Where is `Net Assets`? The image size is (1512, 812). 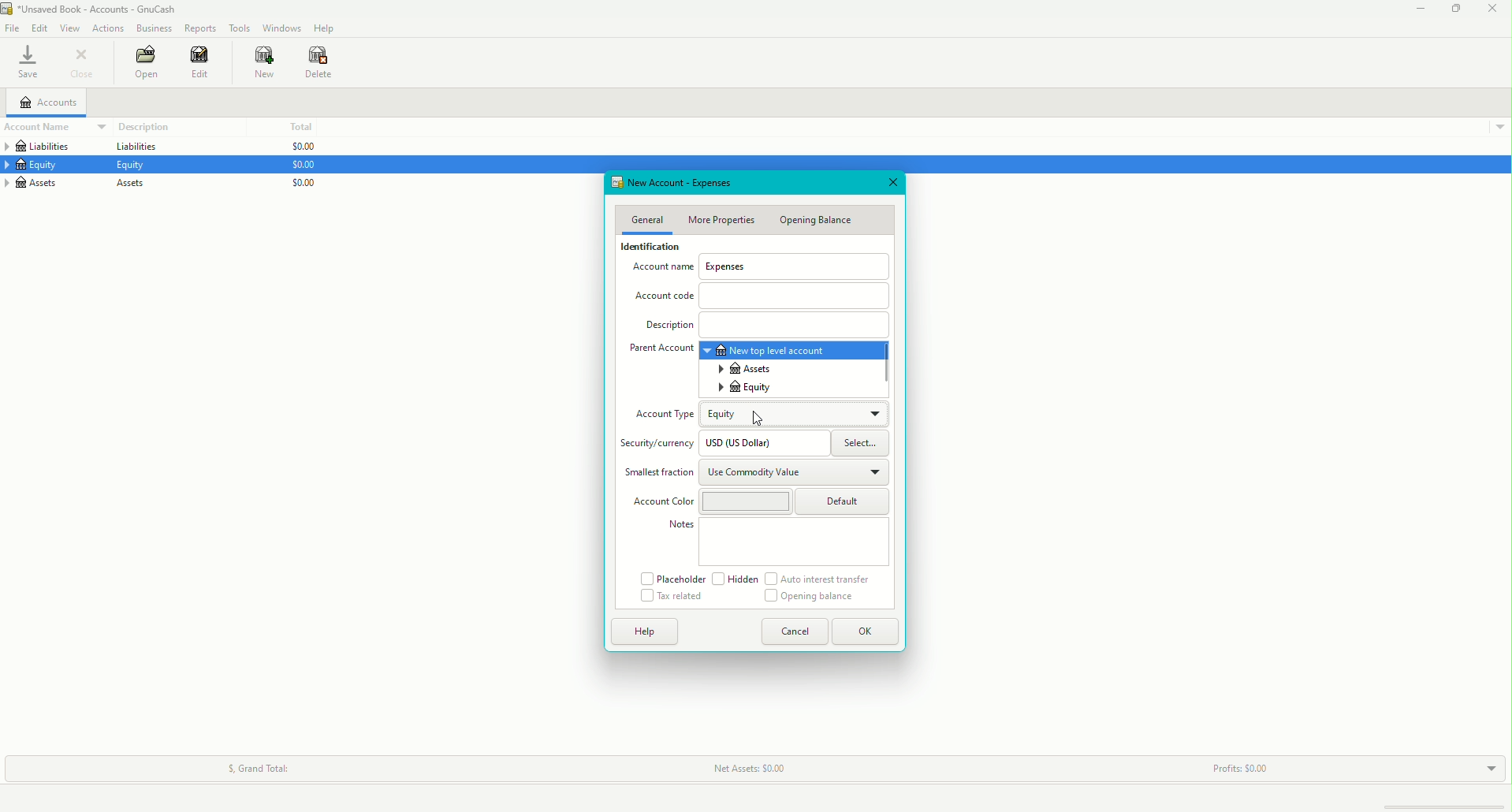
Net Assets is located at coordinates (746, 769).